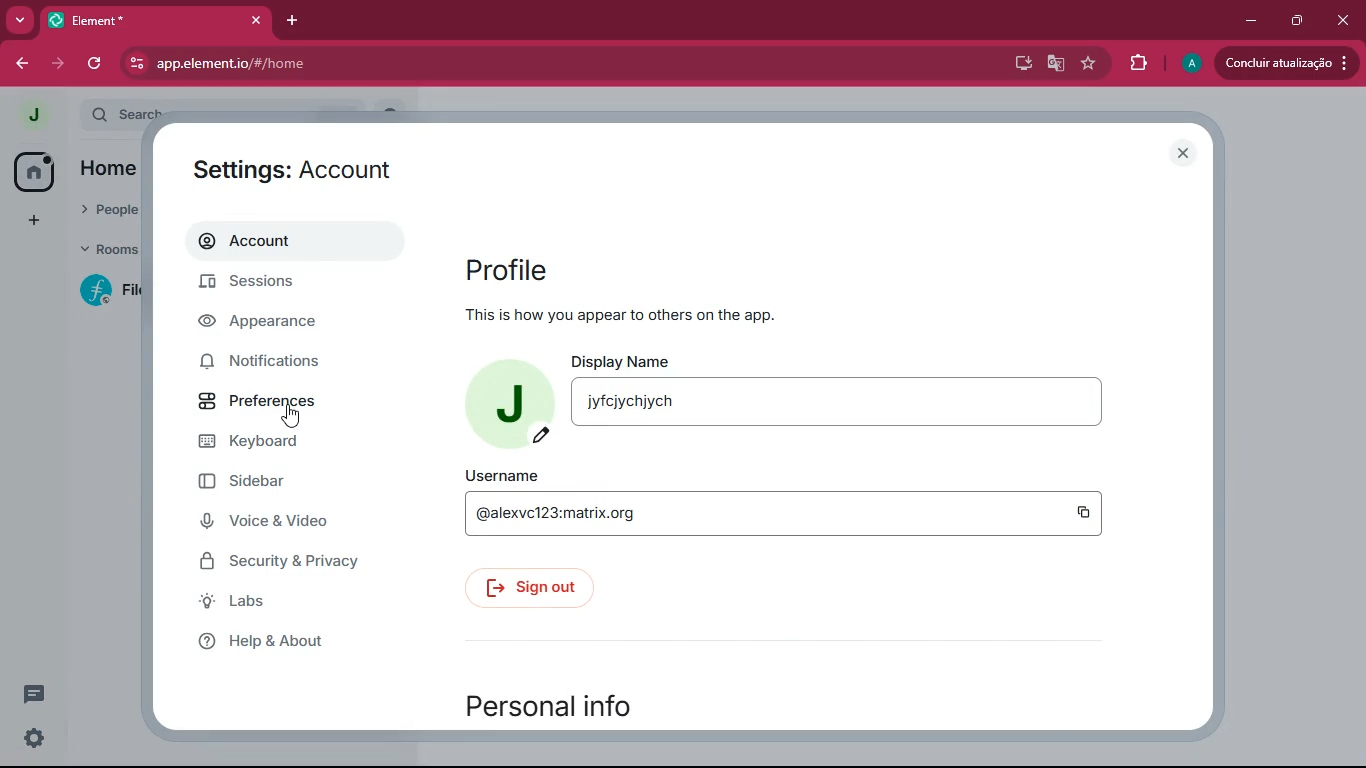 Image resolution: width=1366 pixels, height=768 pixels. I want to click on refresh, so click(99, 64).